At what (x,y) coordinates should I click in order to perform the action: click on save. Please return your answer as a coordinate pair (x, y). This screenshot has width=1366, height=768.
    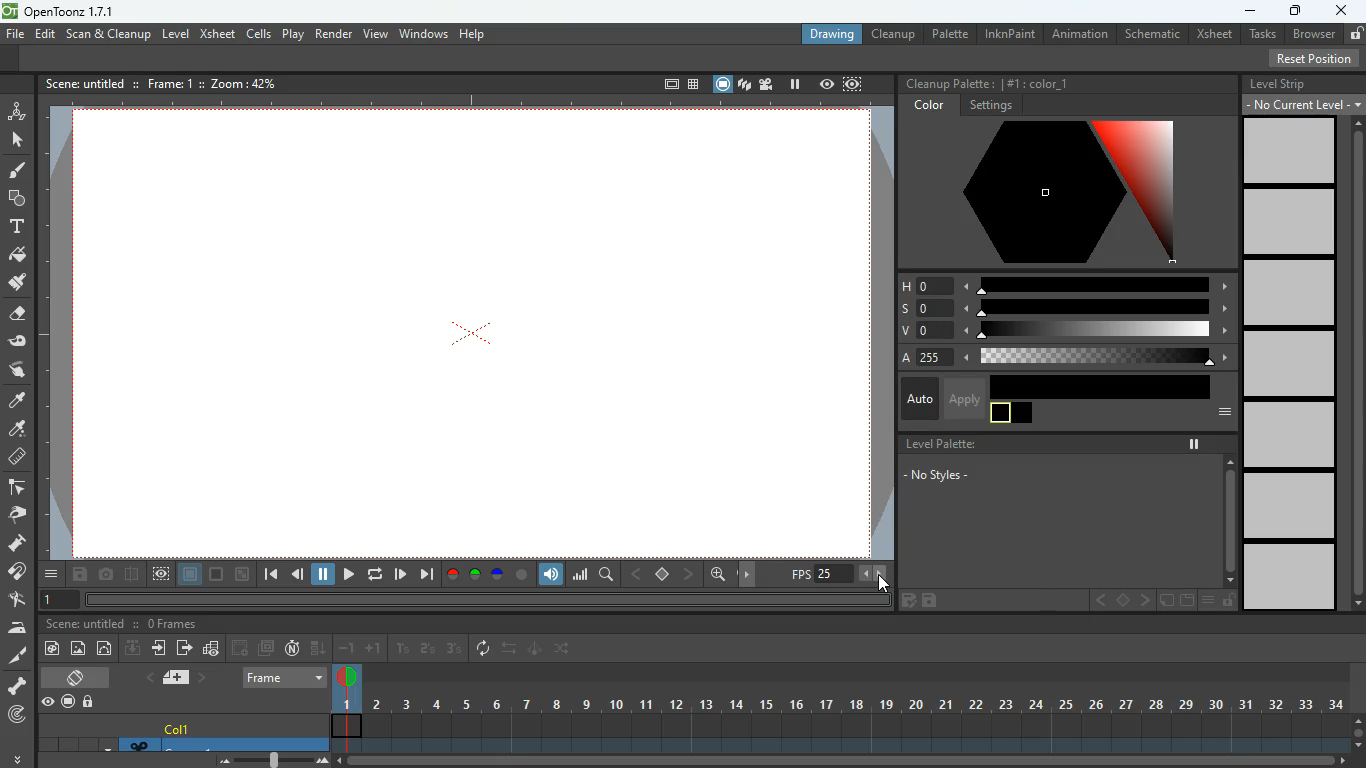
    Looking at the image, I should click on (79, 575).